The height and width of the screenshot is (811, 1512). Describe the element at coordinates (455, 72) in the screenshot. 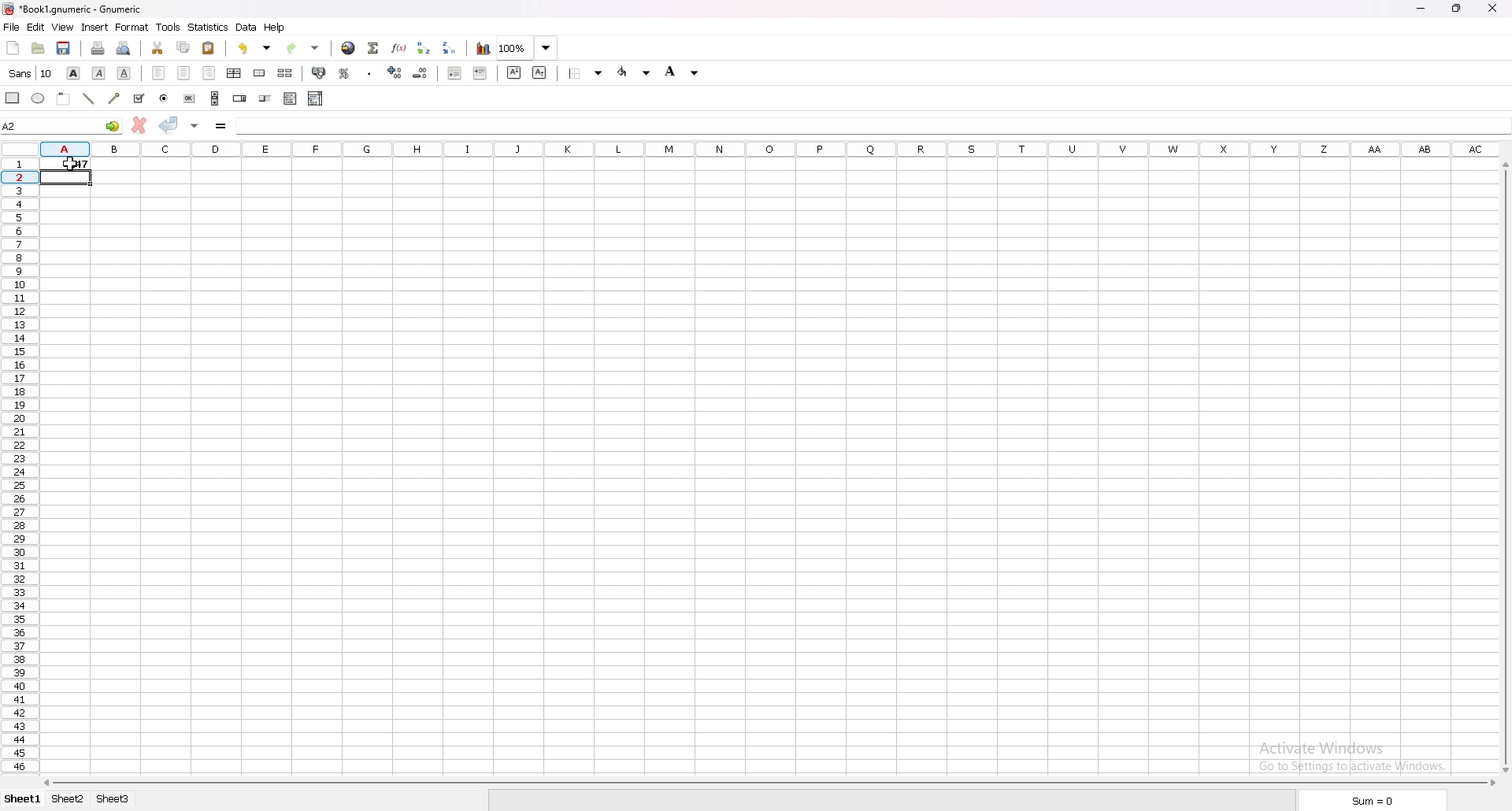

I see `decrease indent` at that location.